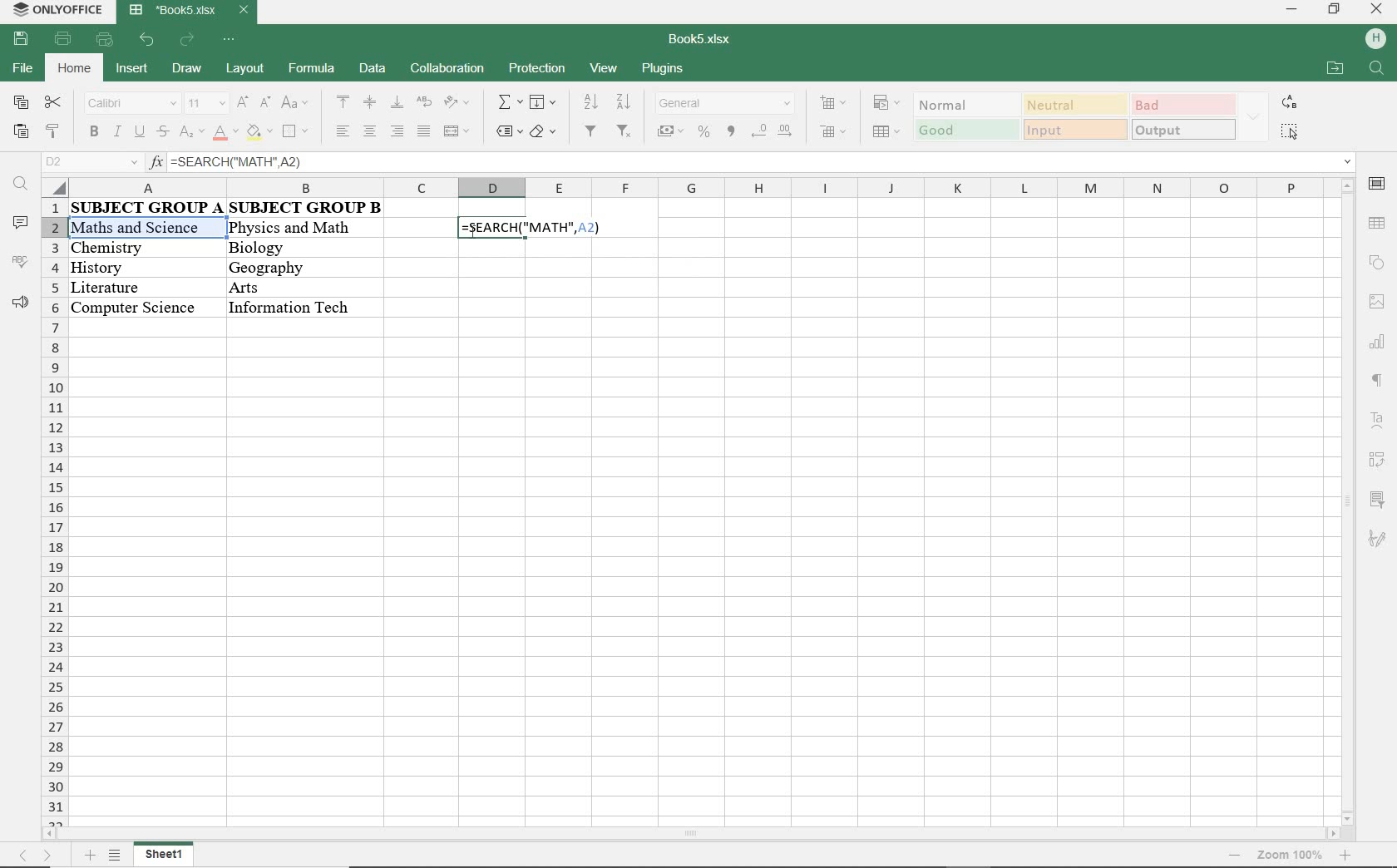  What do you see at coordinates (370, 102) in the screenshot?
I see `align middle` at bounding box center [370, 102].